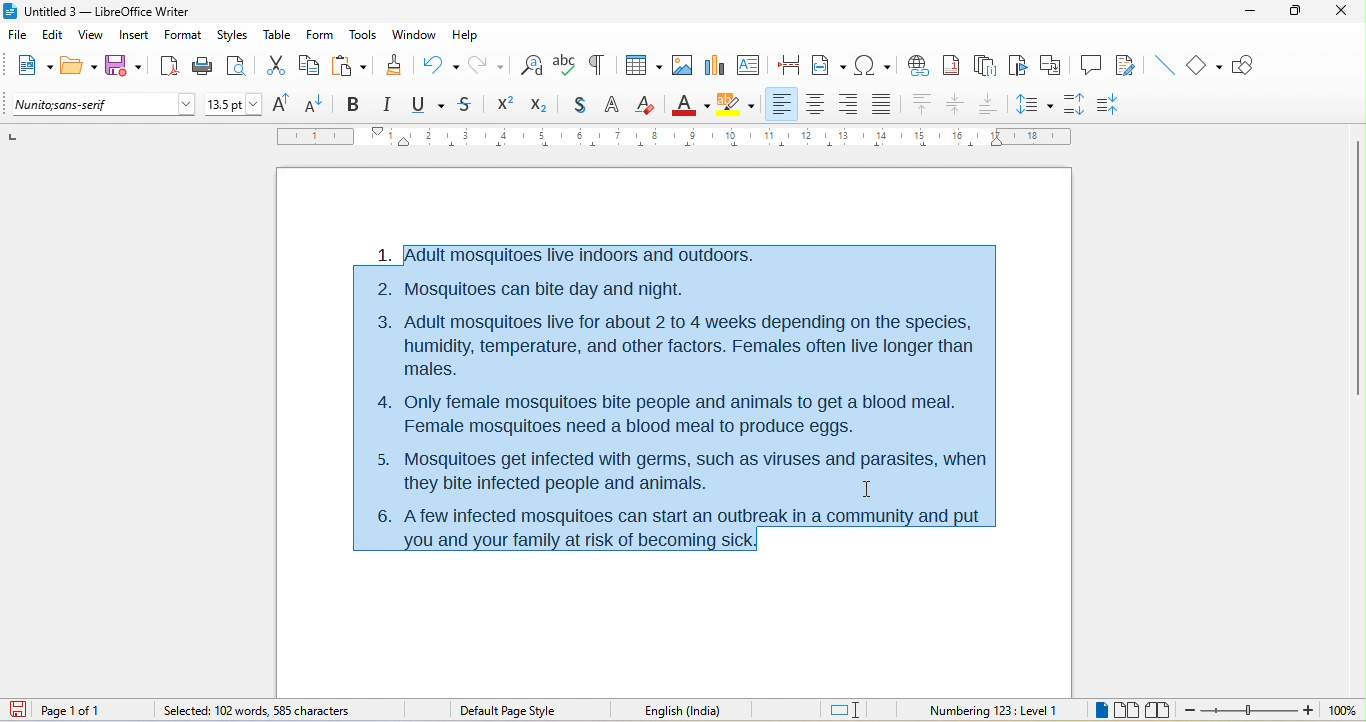 The width and height of the screenshot is (1366, 722). I want to click on increase paragraph spacing, so click(1080, 105).